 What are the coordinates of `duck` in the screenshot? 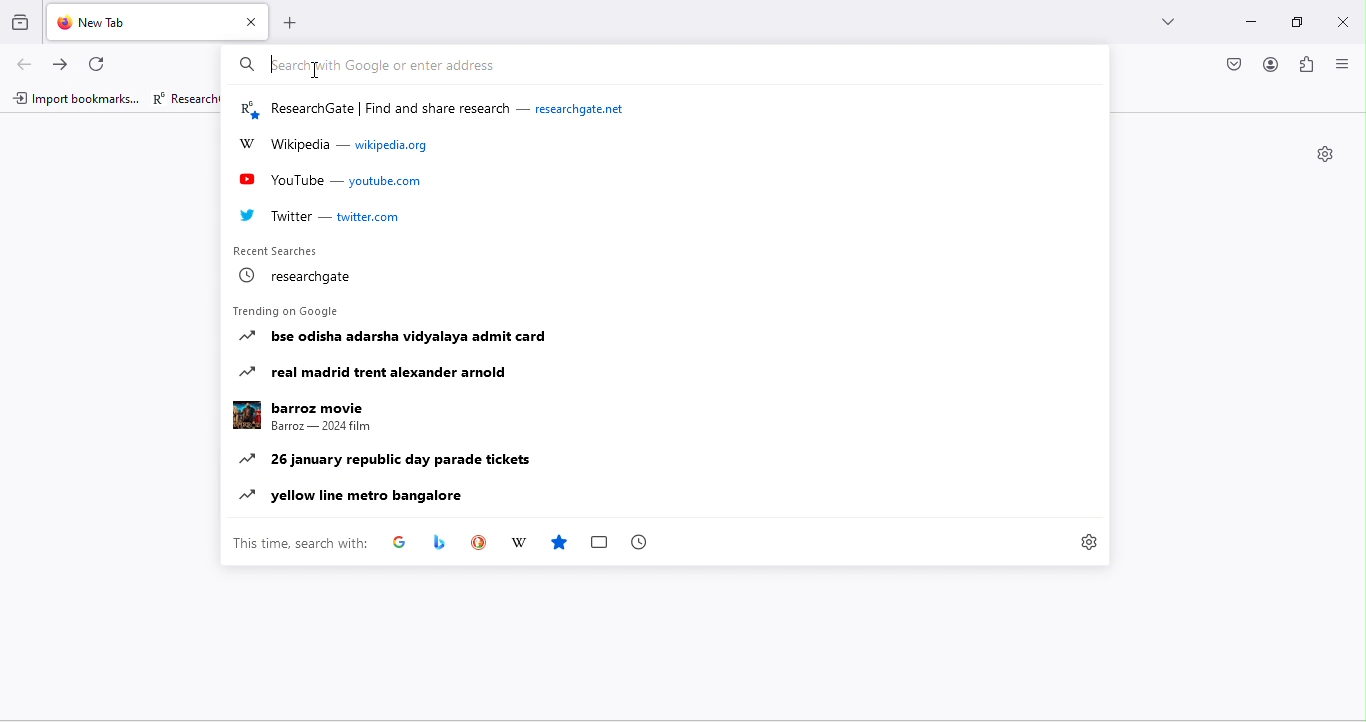 It's located at (484, 544).